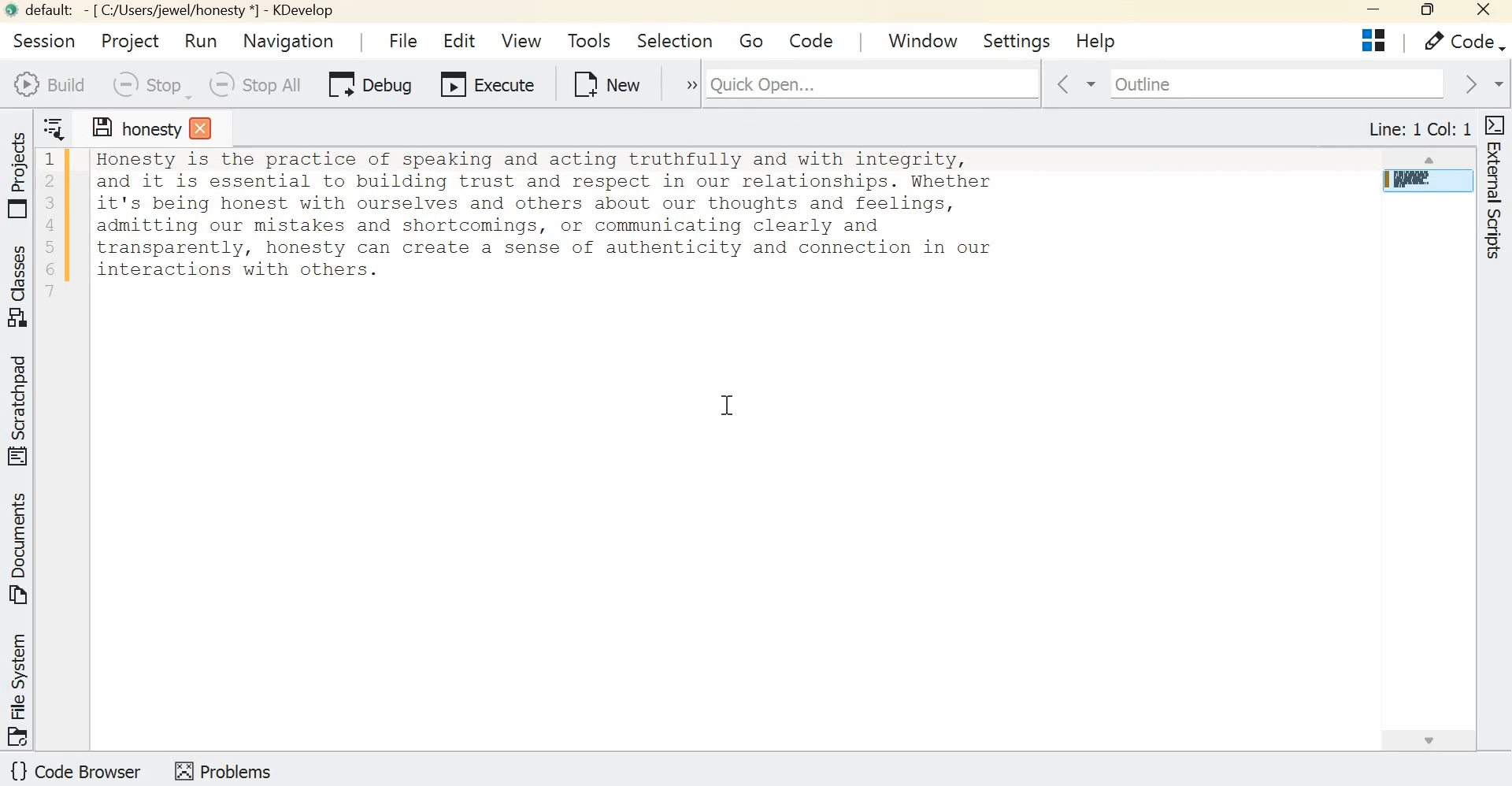  I want to click on Tools, so click(589, 40).